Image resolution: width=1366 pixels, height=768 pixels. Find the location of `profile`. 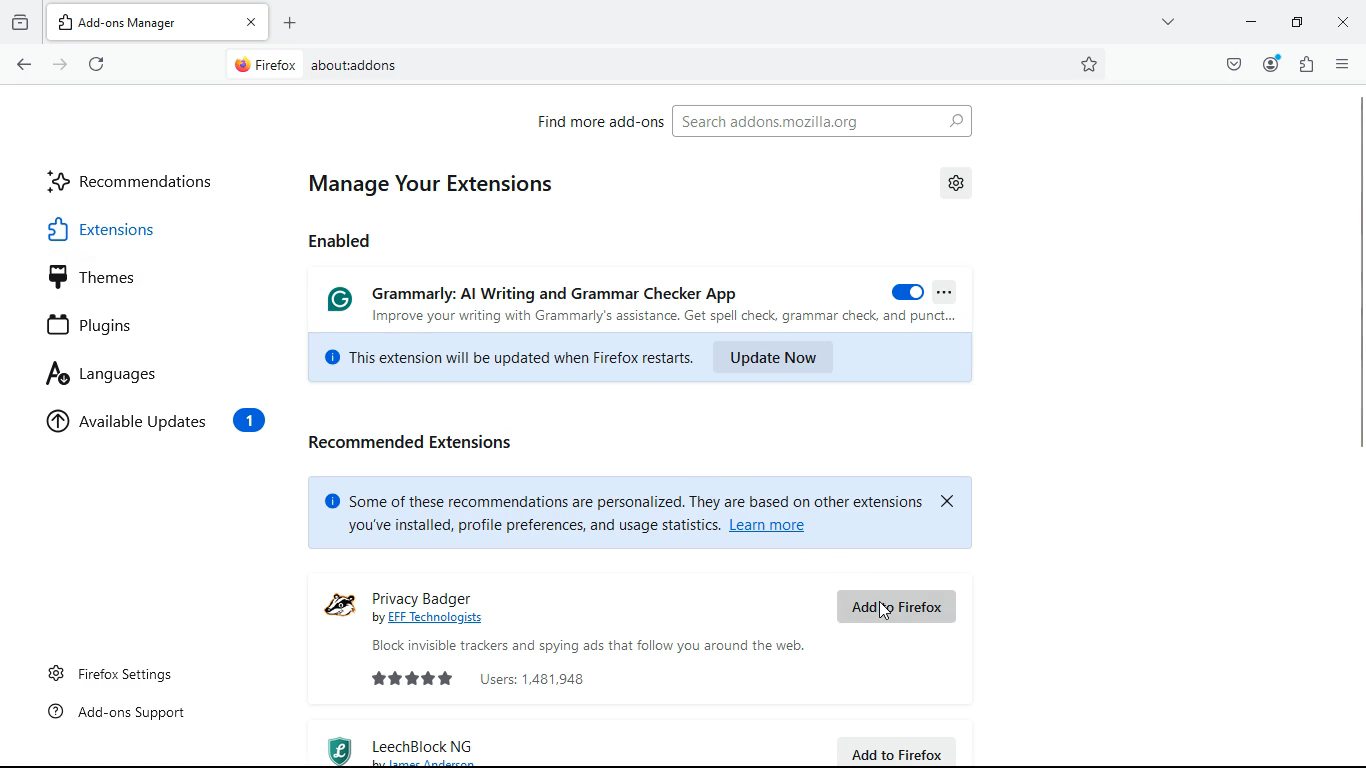

profile is located at coordinates (1269, 64).